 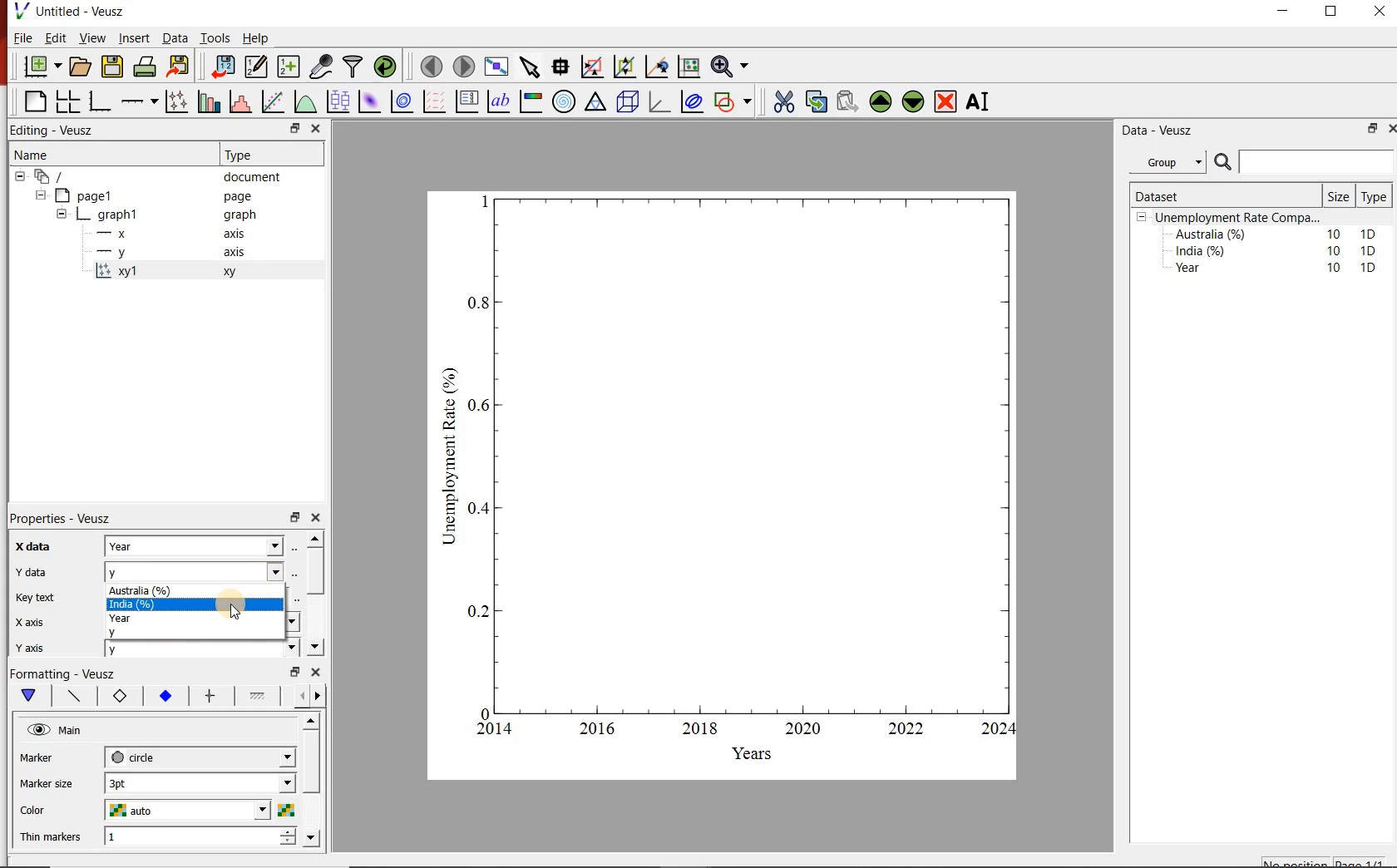 I want to click on move down, so click(x=314, y=646).